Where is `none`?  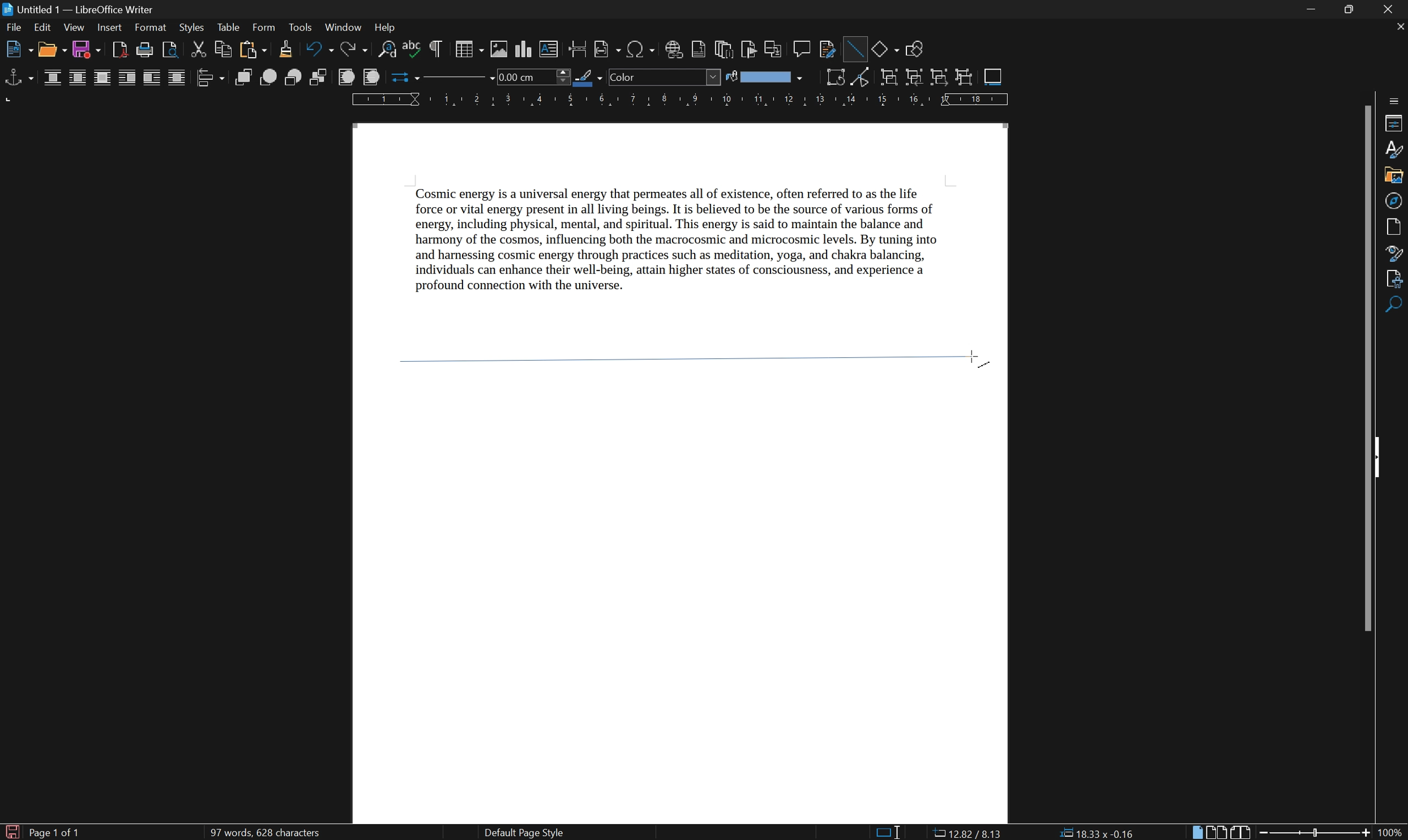
none is located at coordinates (54, 78).